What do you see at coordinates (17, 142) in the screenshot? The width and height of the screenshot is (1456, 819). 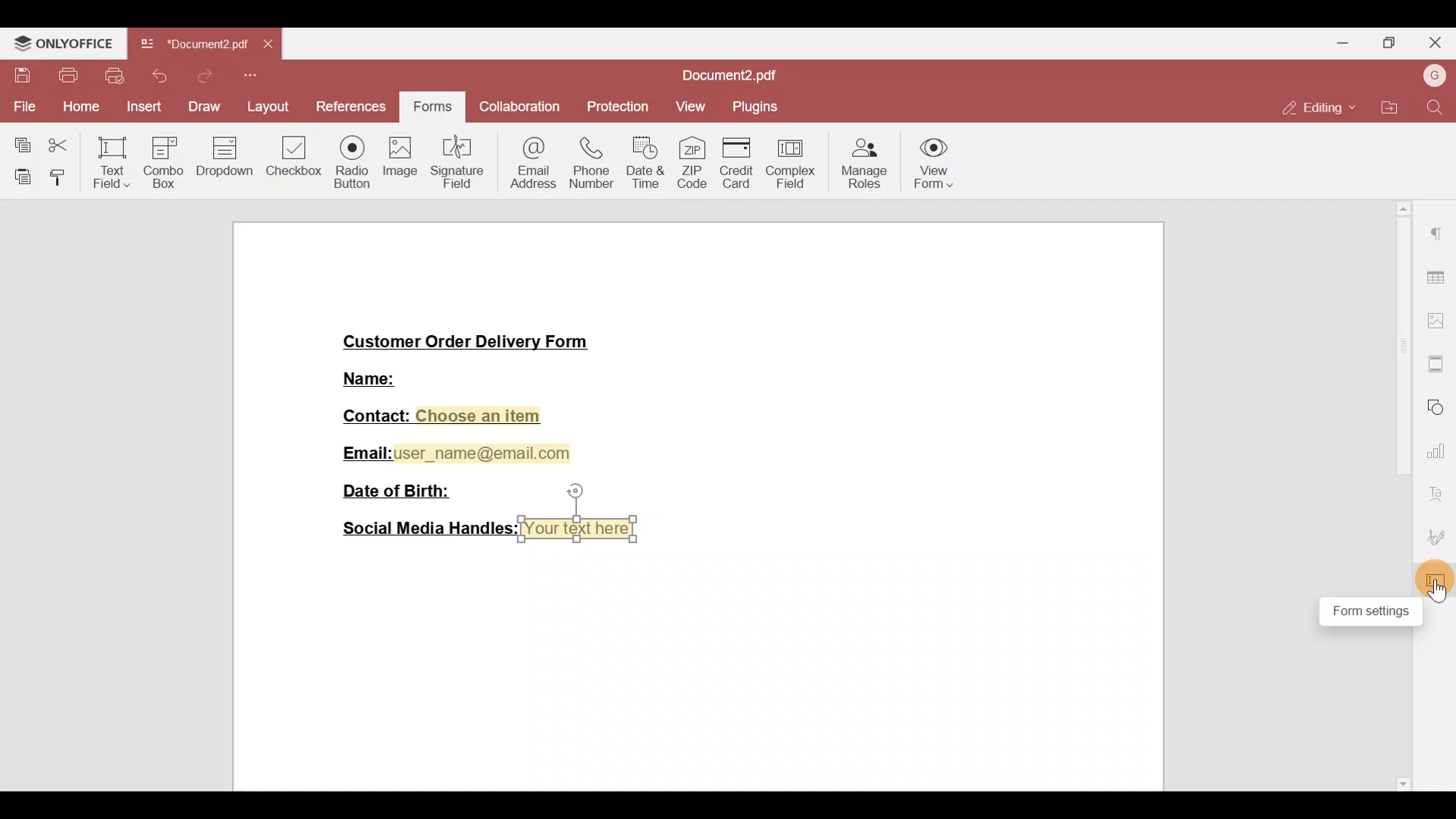 I see `Copy` at bounding box center [17, 142].